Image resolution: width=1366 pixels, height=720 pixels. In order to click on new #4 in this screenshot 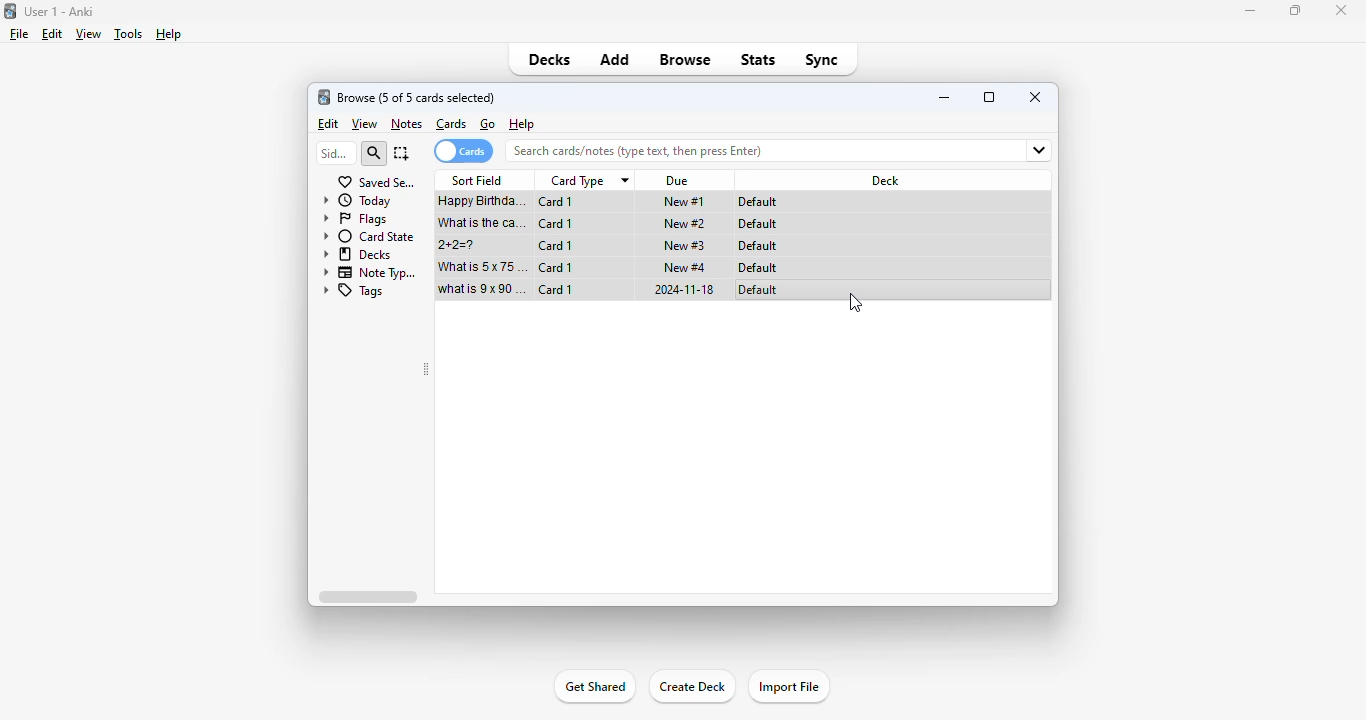, I will do `click(685, 266)`.